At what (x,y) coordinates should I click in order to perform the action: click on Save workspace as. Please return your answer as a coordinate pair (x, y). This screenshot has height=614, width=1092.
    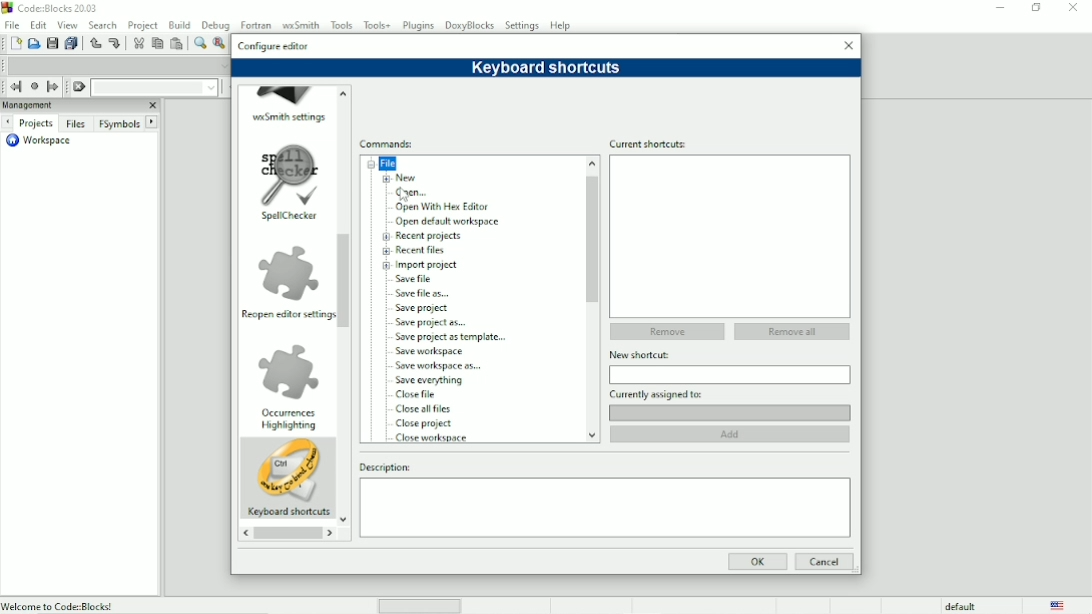
    Looking at the image, I should click on (441, 366).